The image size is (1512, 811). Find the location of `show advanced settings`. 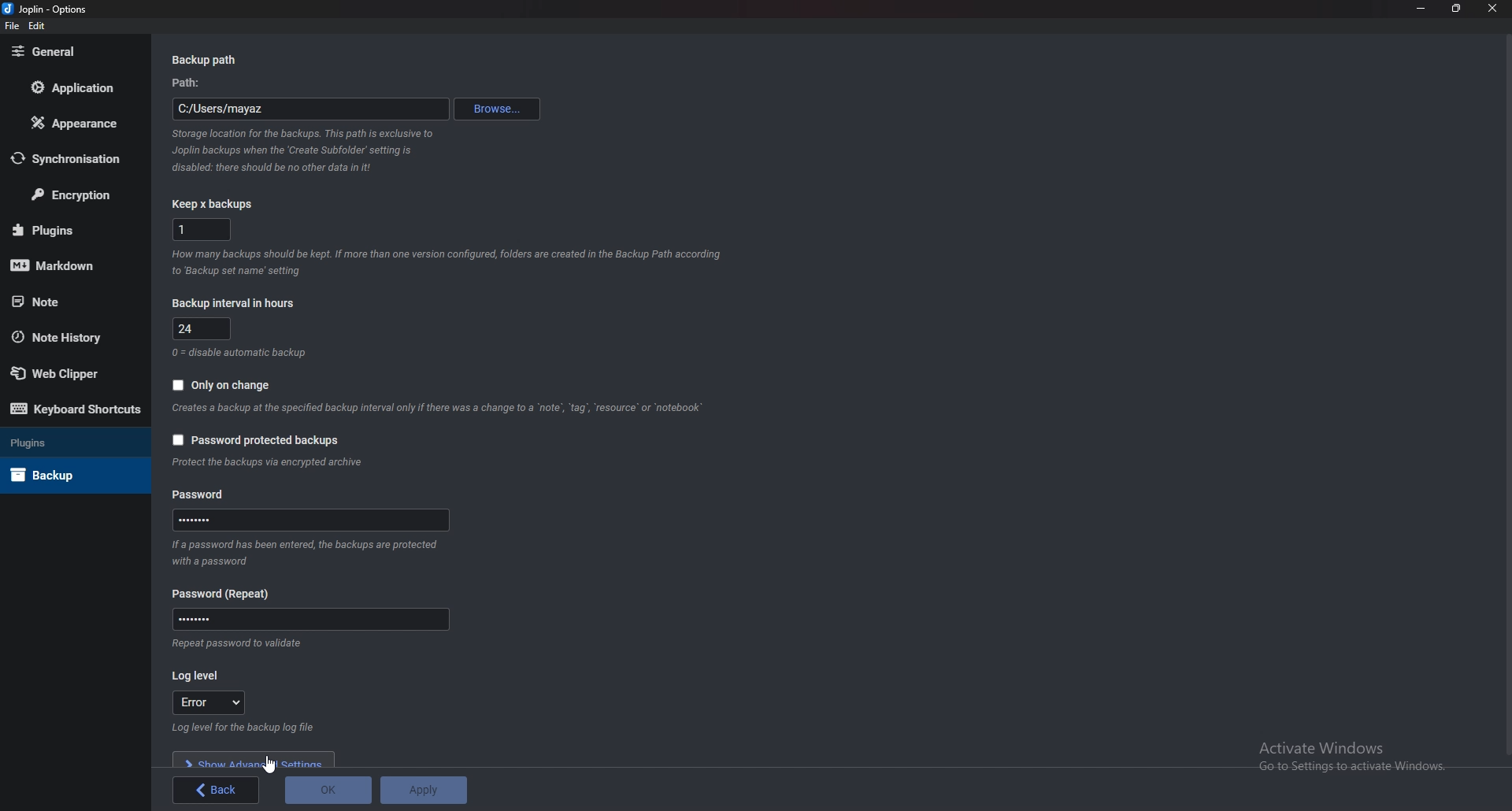

show advanced settings is located at coordinates (254, 759).